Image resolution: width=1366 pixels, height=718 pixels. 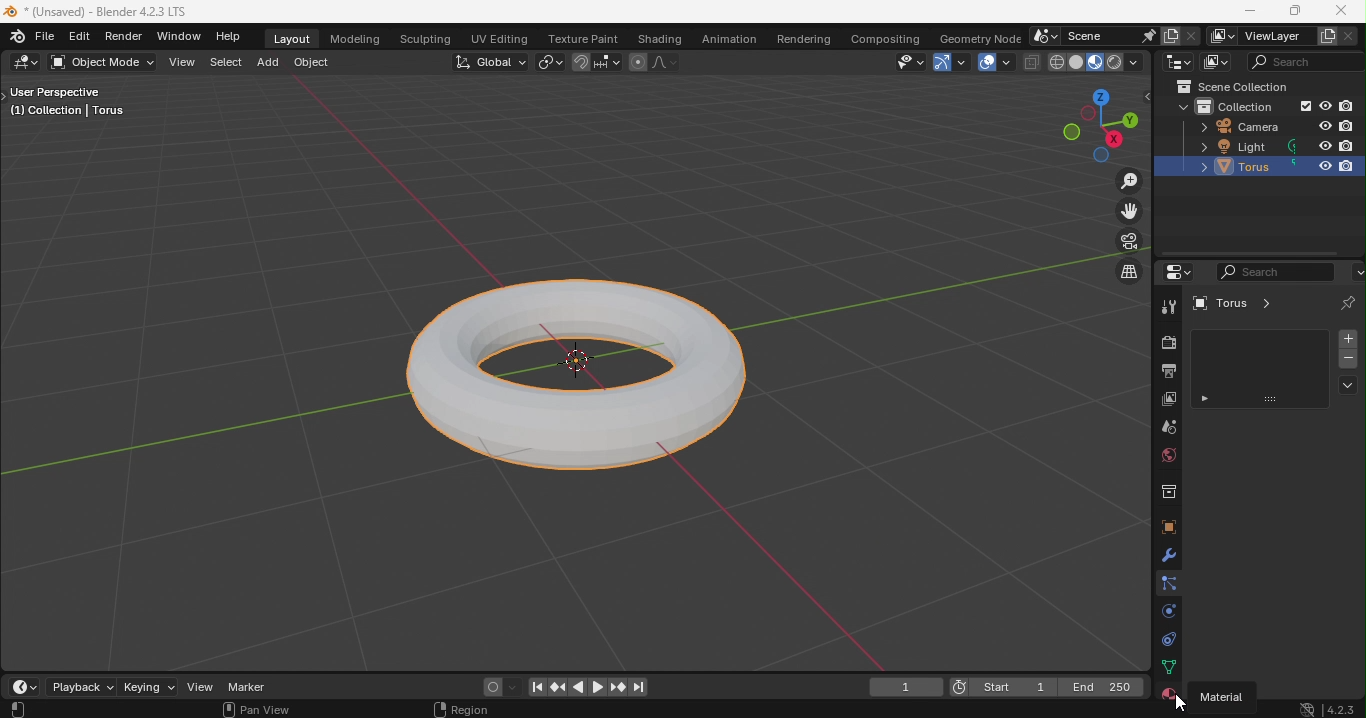 I want to click on Show overlays, so click(x=996, y=62).